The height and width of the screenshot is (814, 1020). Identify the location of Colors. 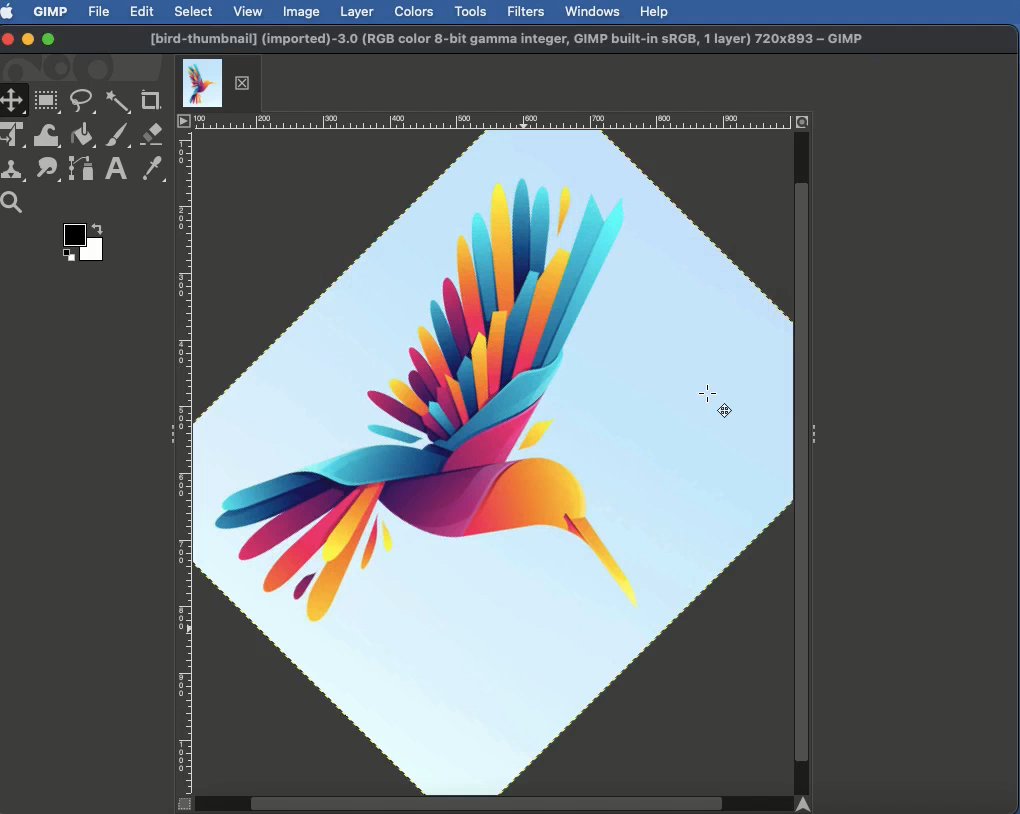
(415, 11).